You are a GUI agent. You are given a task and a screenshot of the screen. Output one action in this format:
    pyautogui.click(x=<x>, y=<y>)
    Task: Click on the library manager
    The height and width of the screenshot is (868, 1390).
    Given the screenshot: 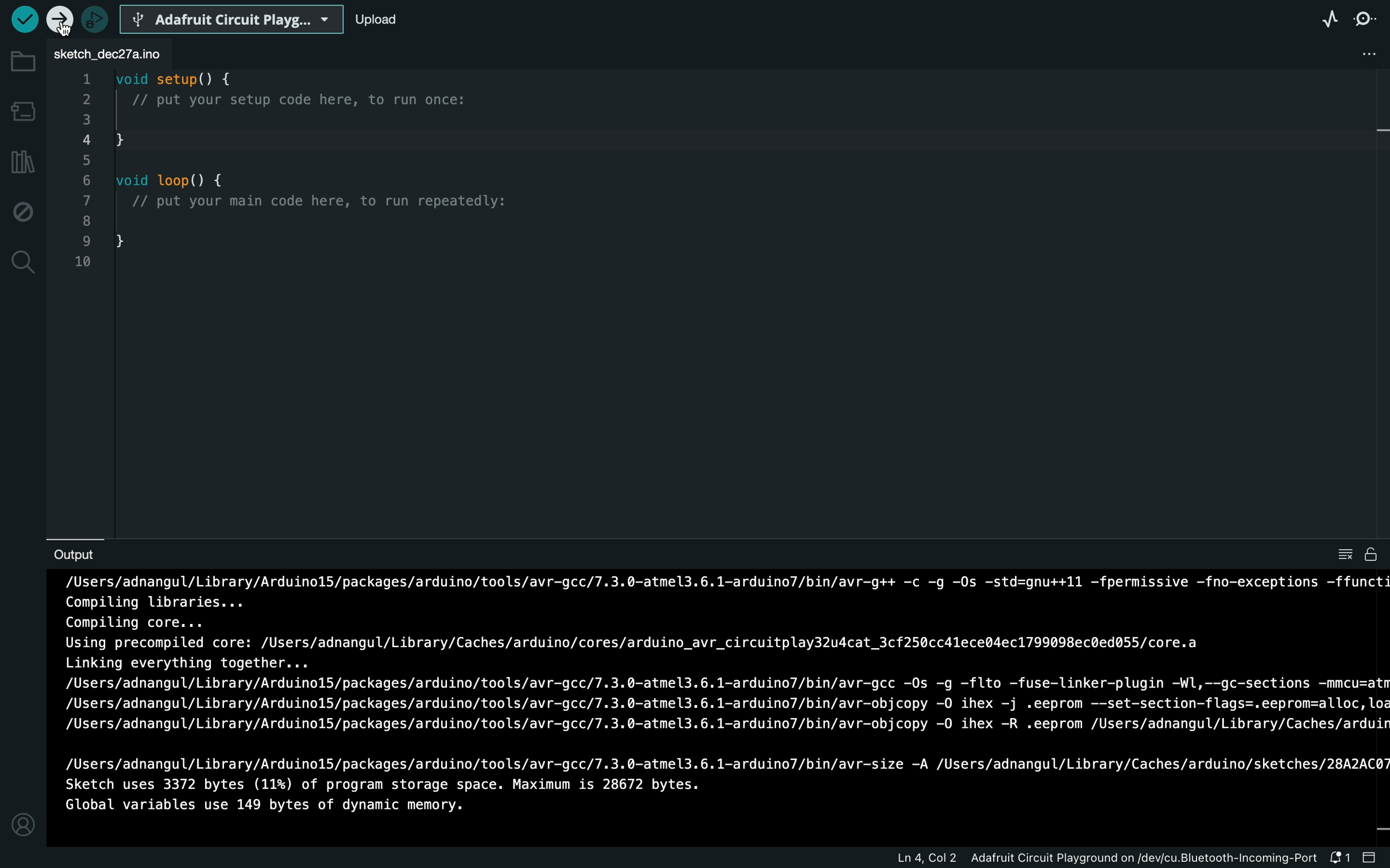 What is the action you would take?
    pyautogui.click(x=20, y=161)
    